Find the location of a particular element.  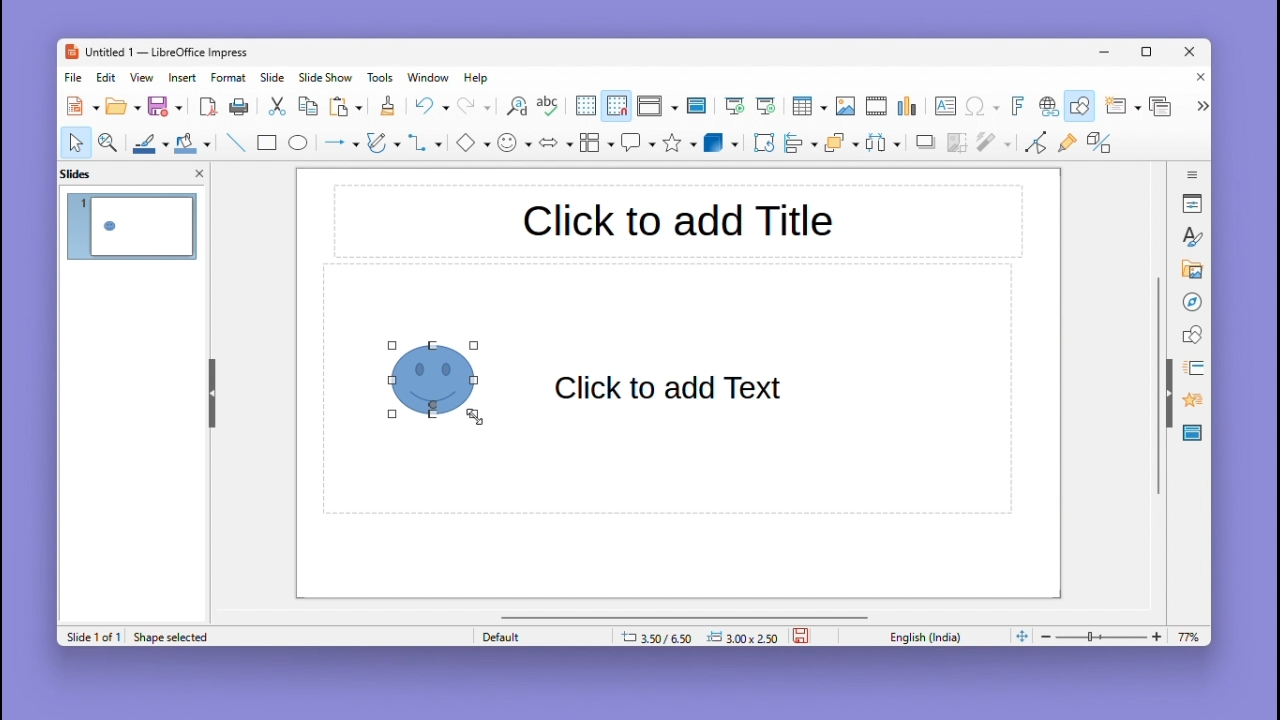

Star is located at coordinates (680, 143).